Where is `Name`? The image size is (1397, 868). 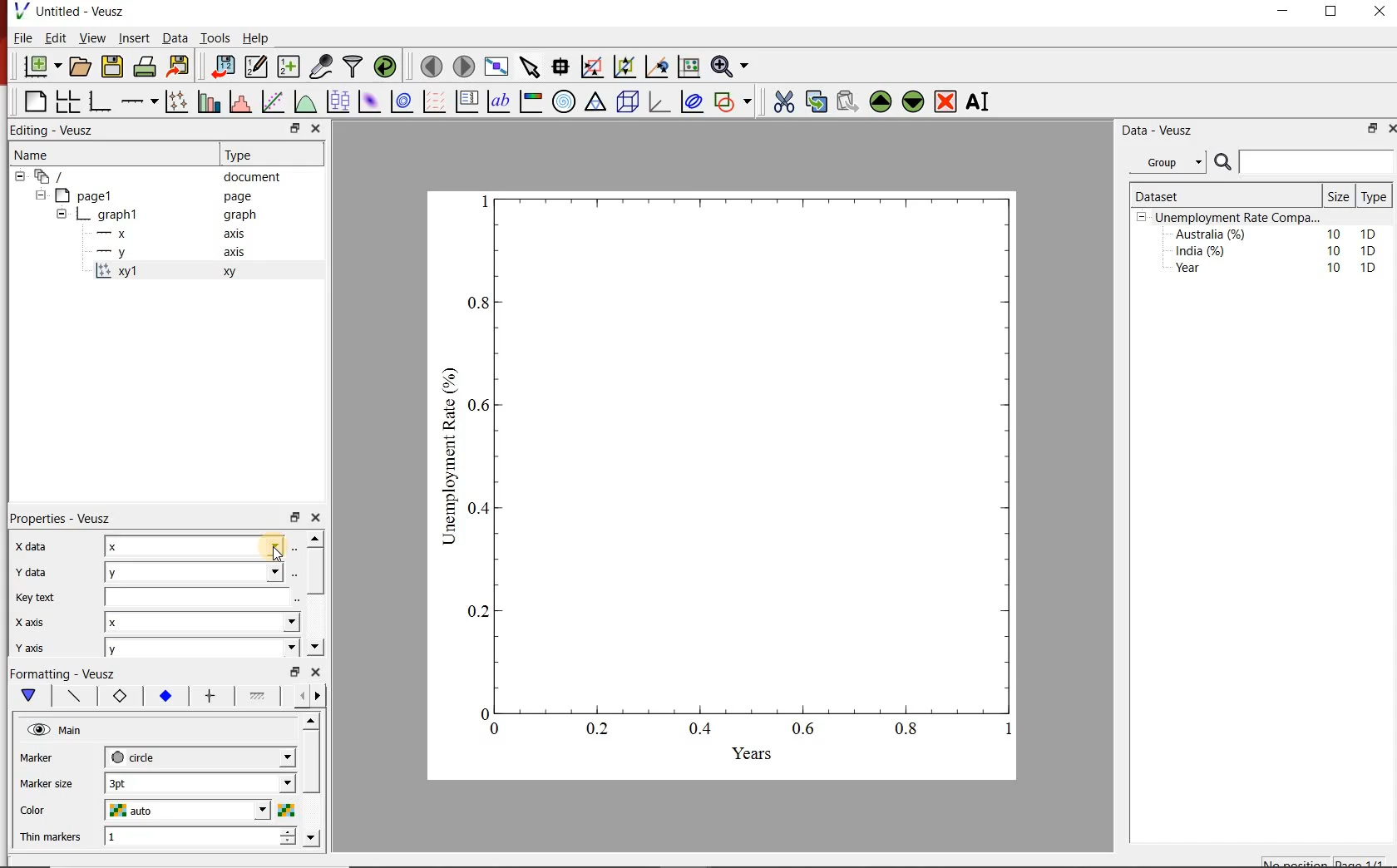
Name is located at coordinates (105, 153).